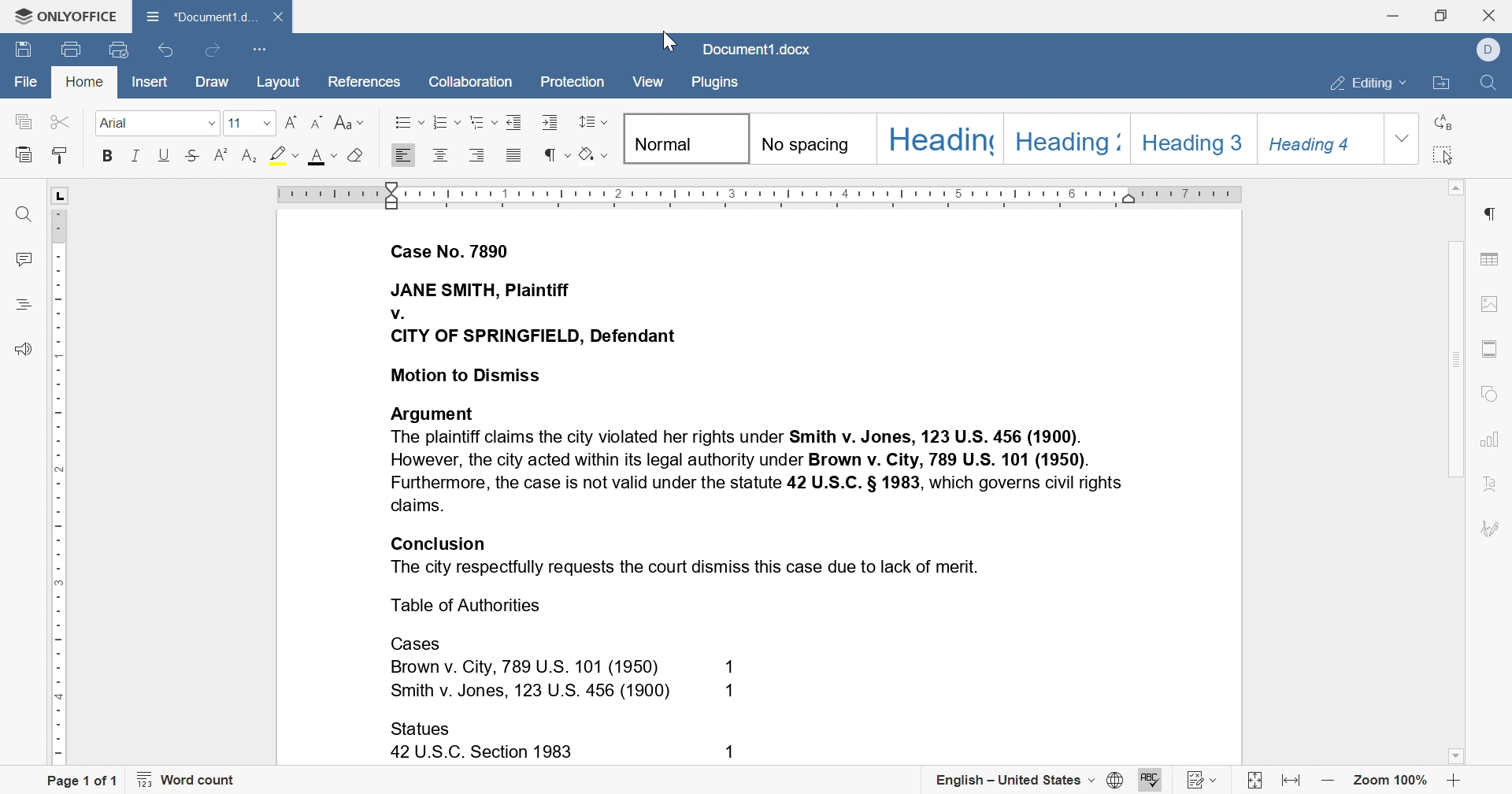  I want to click on strikethrough, so click(193, 155).